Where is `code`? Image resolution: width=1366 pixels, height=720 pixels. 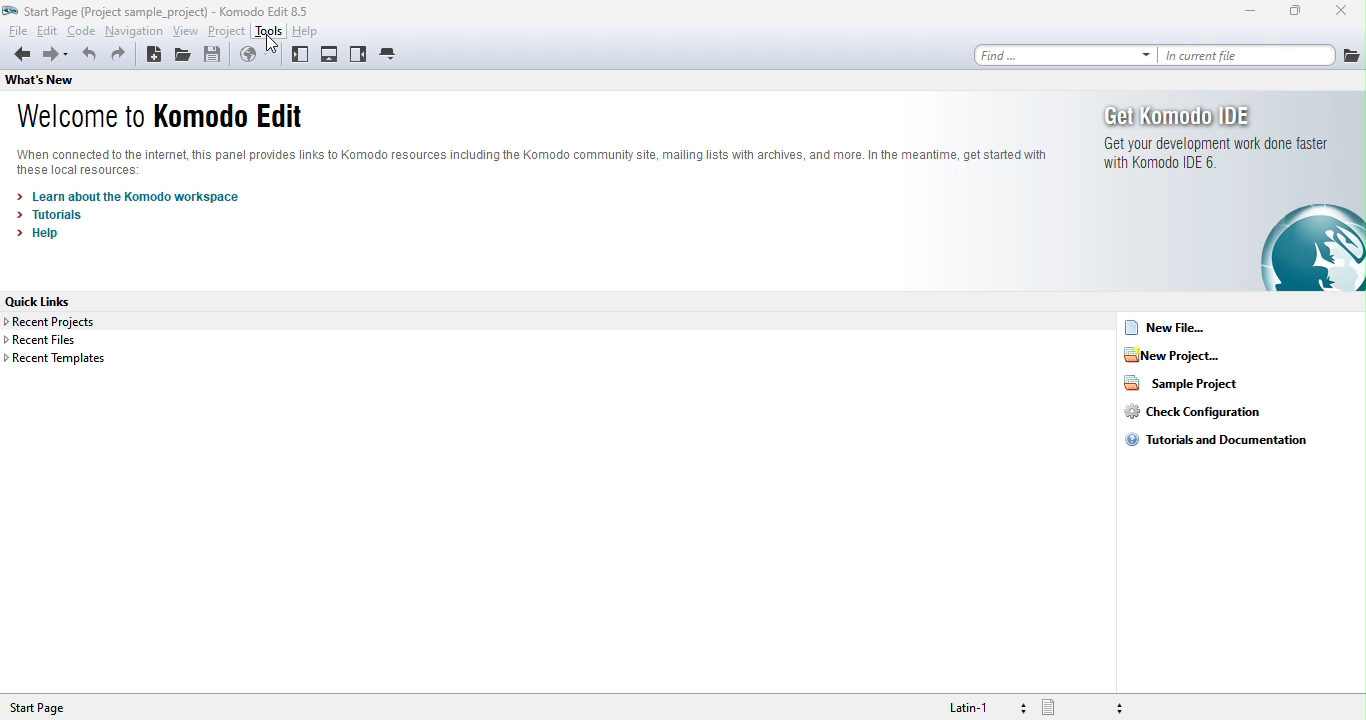
code is located at coordinates (83, 32).